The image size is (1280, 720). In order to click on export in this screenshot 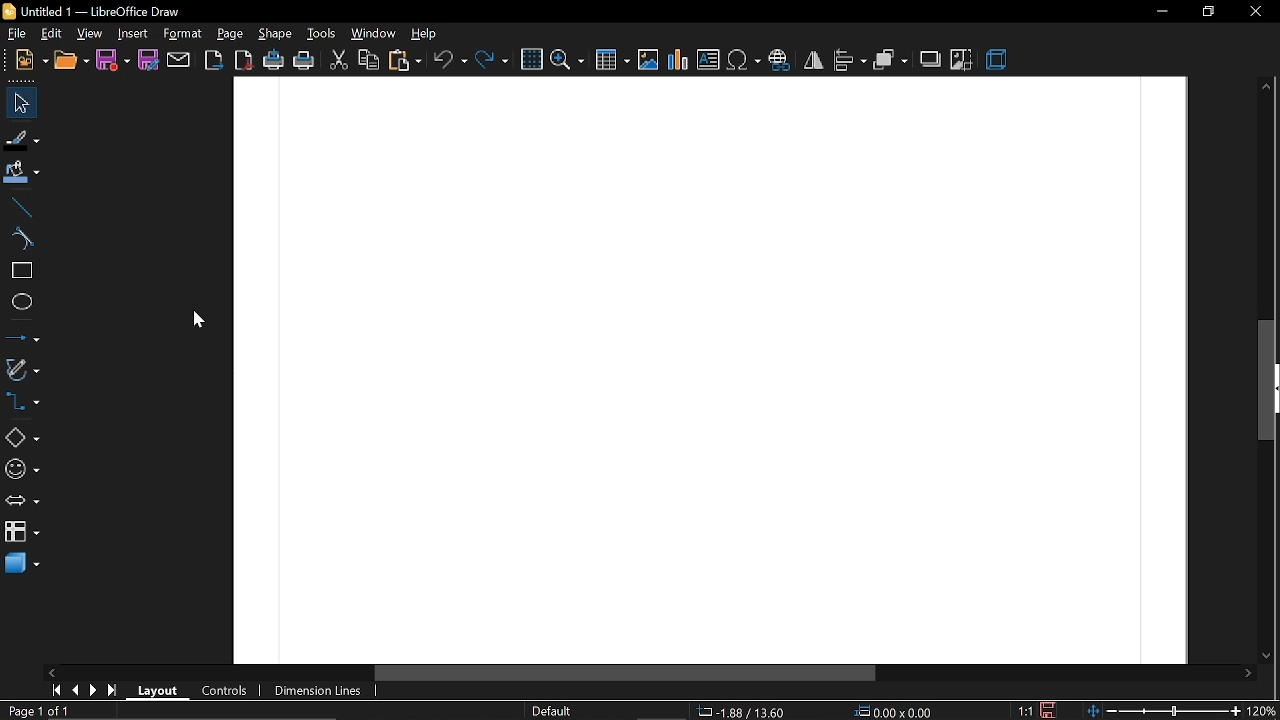, I will do `click(214, 60)`.